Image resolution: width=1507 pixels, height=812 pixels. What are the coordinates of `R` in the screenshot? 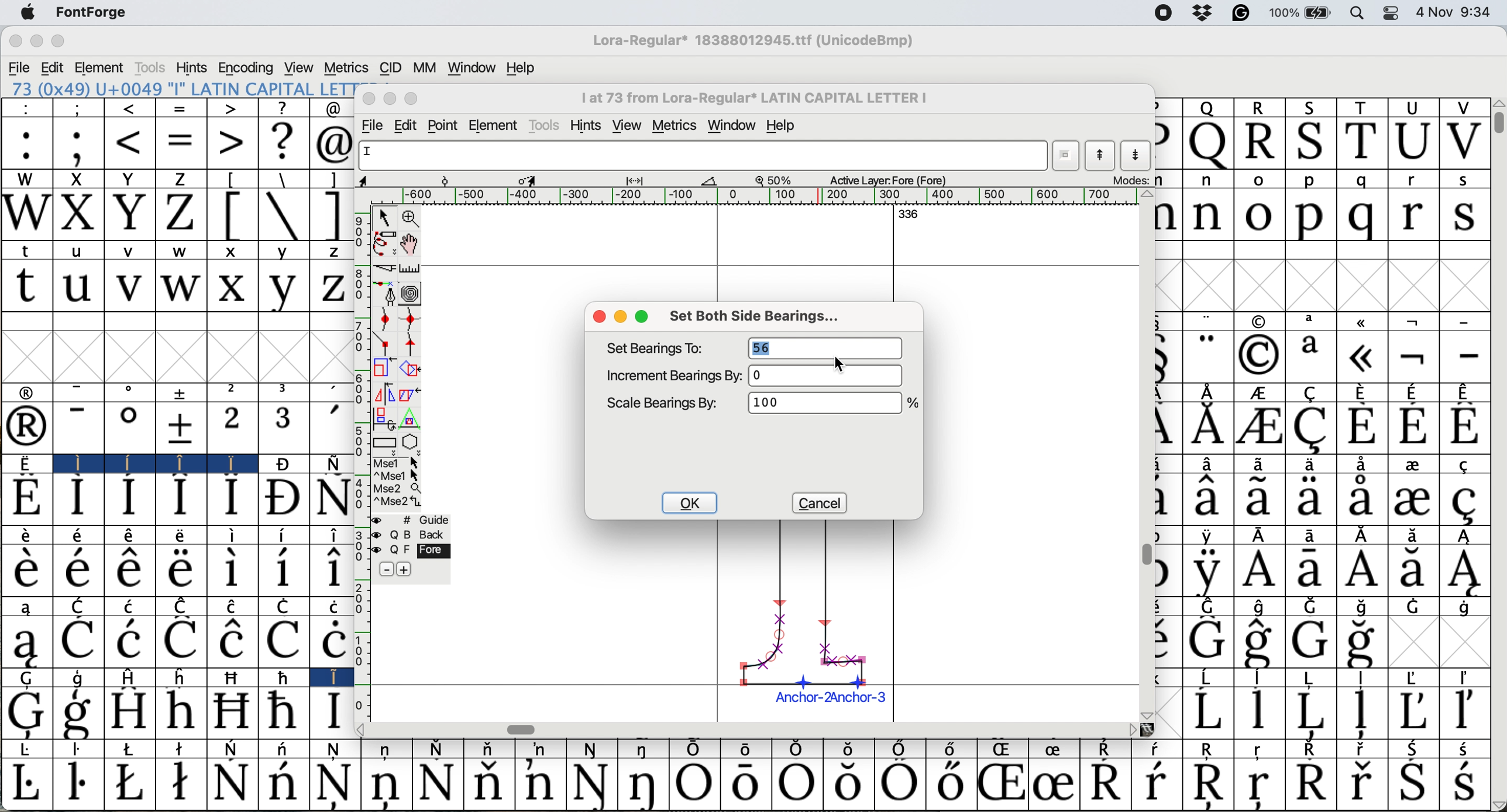 It's located at (1260, 108).